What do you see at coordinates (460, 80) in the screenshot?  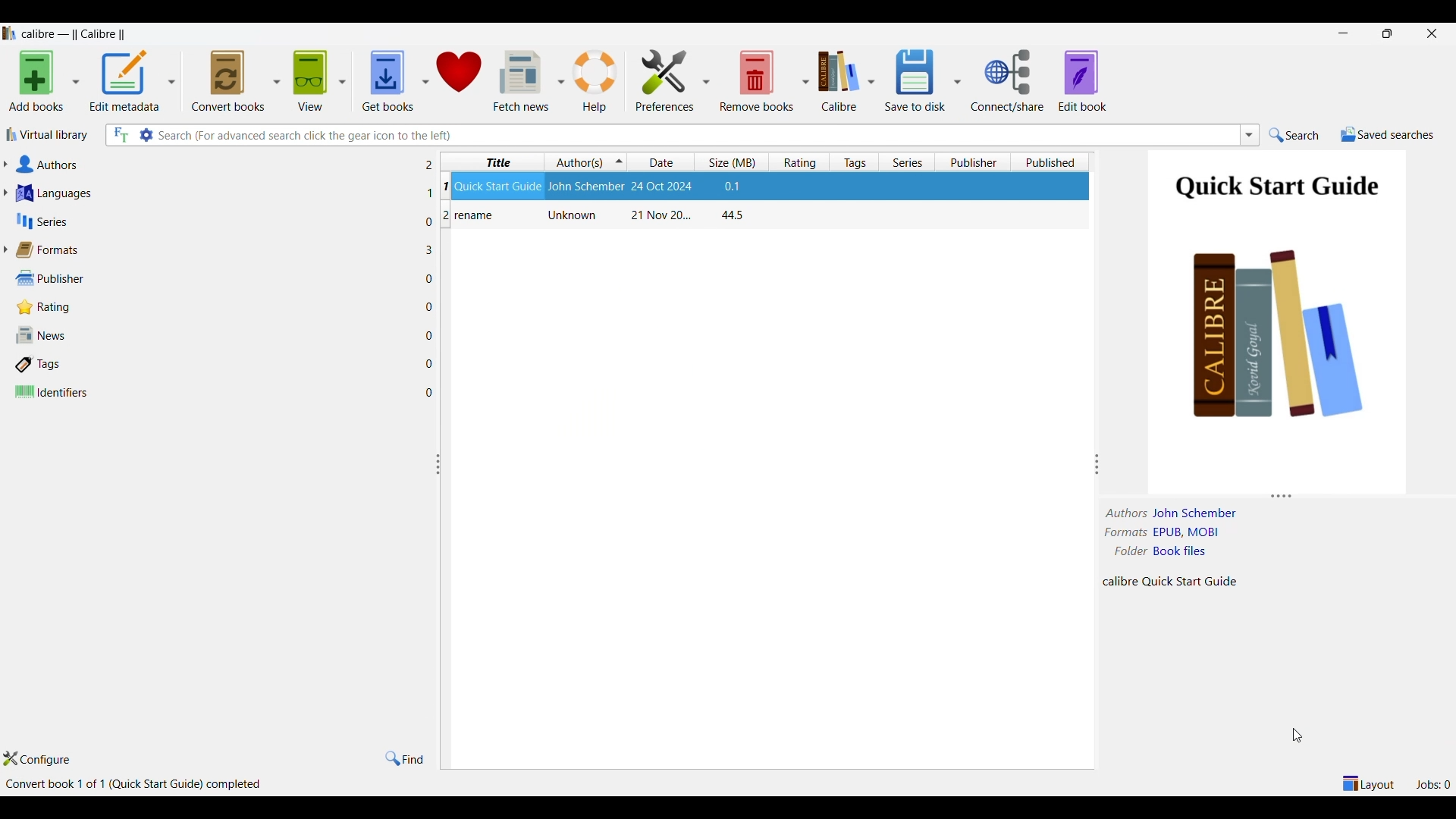 I see `Donate` at bounding box center [460, 80].